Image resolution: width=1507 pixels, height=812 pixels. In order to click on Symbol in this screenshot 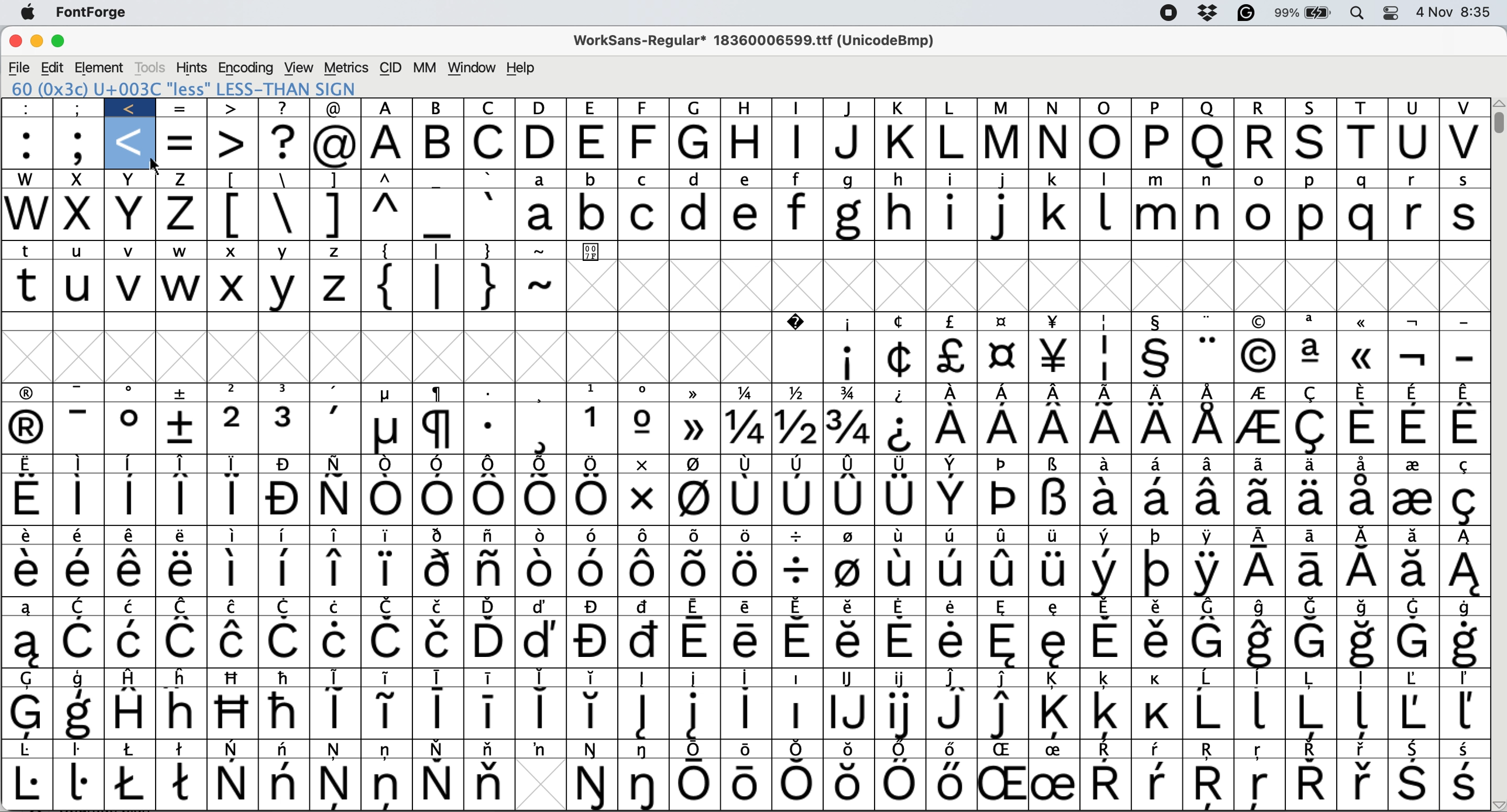, I will do `click(438, 535)`.